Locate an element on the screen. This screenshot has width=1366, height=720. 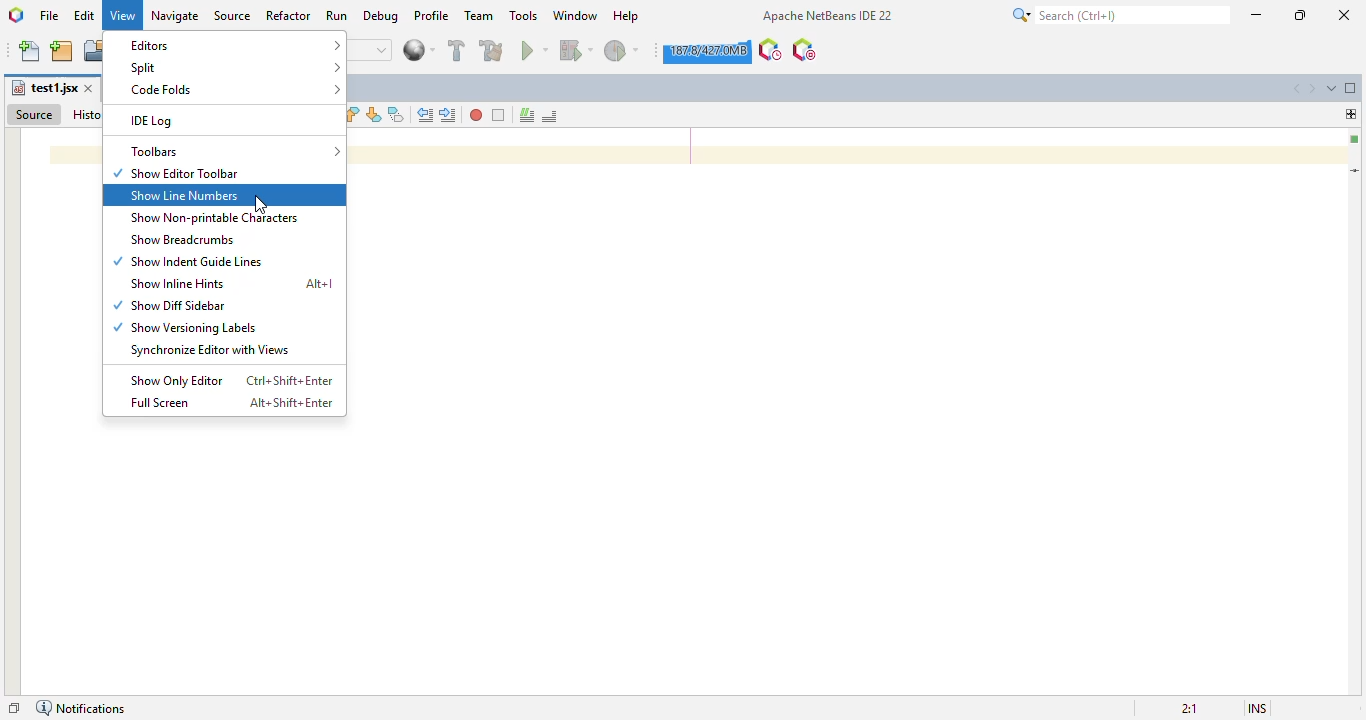
profile is located at coordinates (432, 14).